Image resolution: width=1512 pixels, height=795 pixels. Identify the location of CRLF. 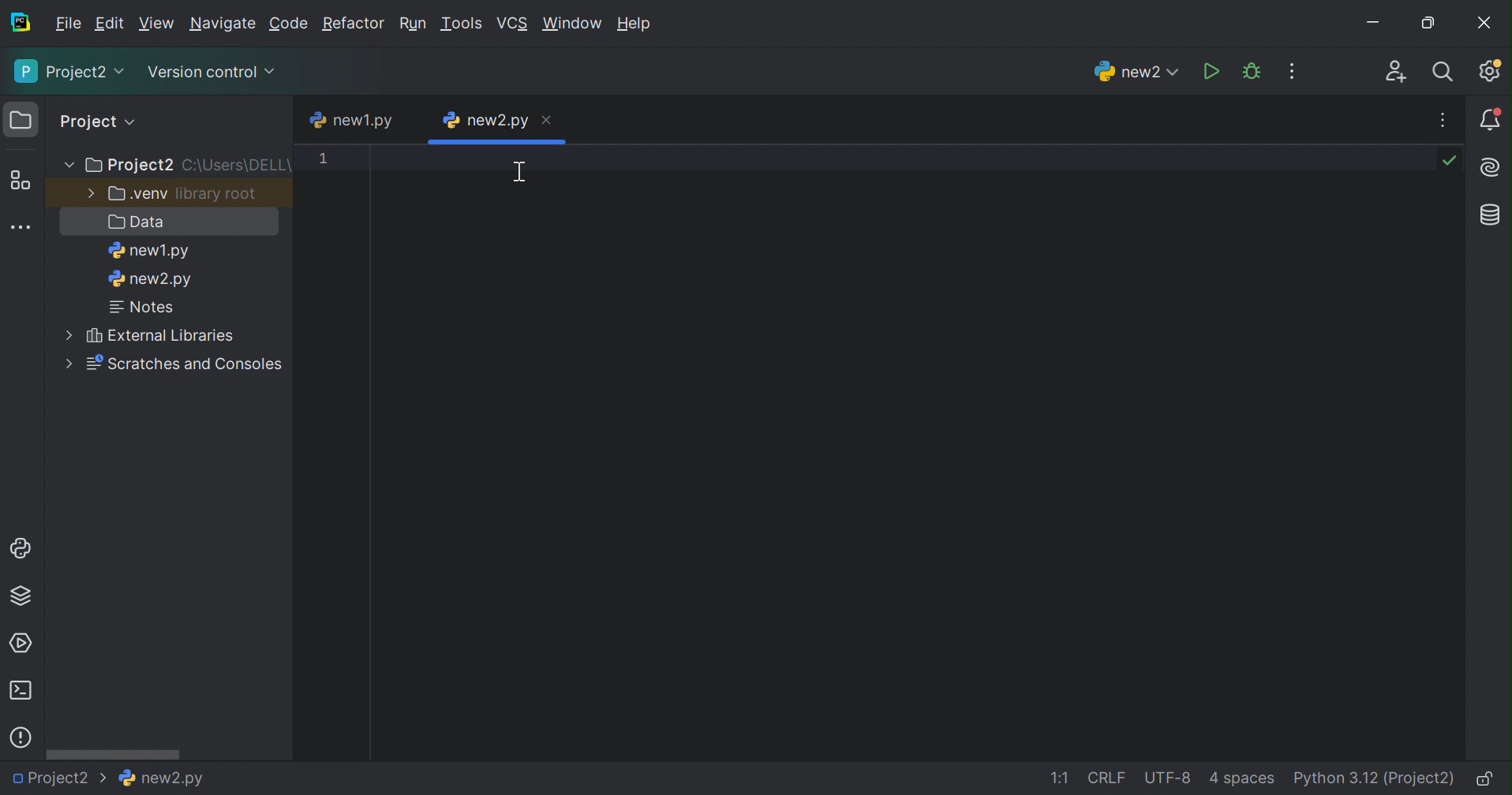
(1108, 778).